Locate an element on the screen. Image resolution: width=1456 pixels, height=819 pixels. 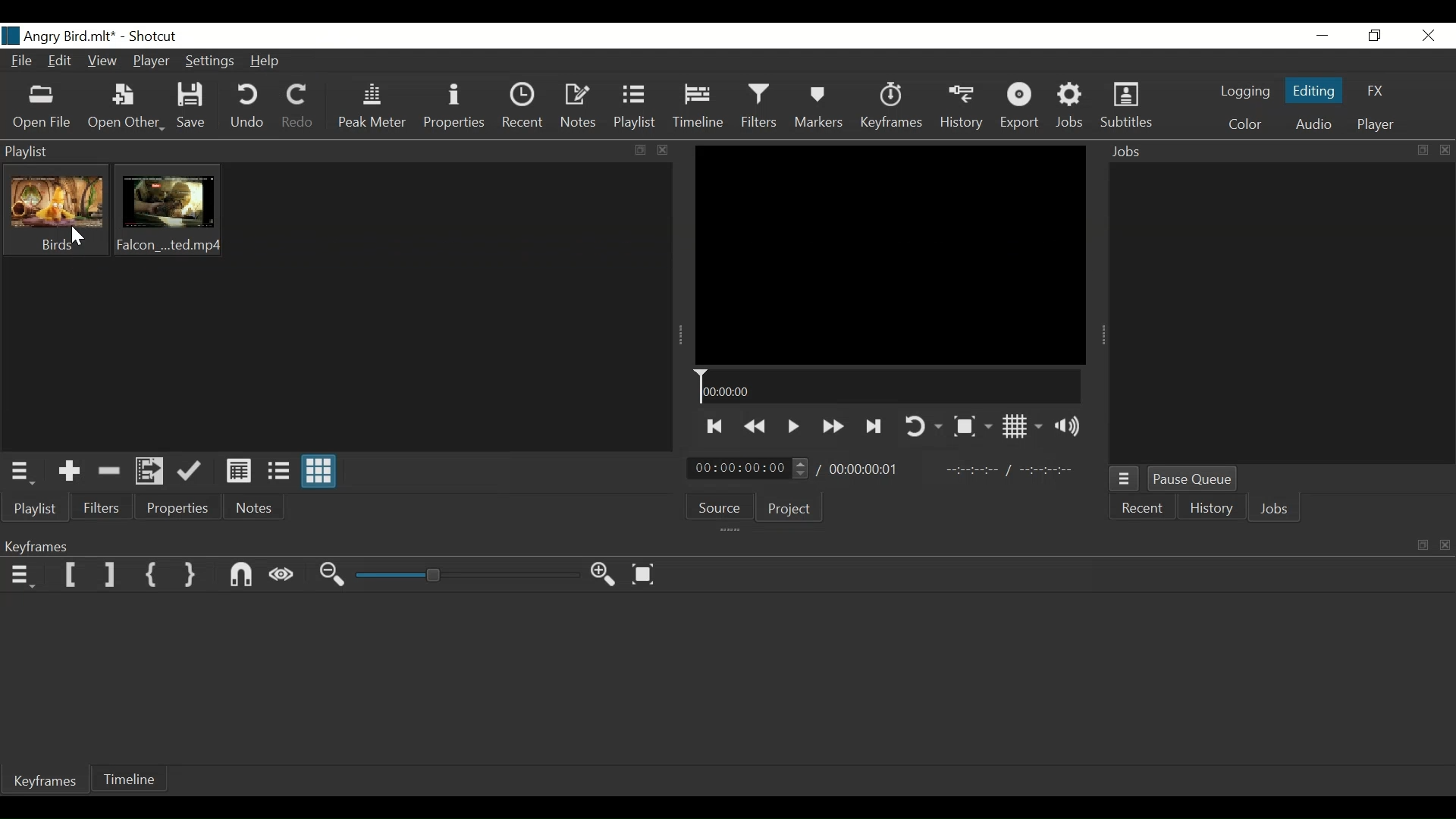
Filters is located at coordinates (761, 108).